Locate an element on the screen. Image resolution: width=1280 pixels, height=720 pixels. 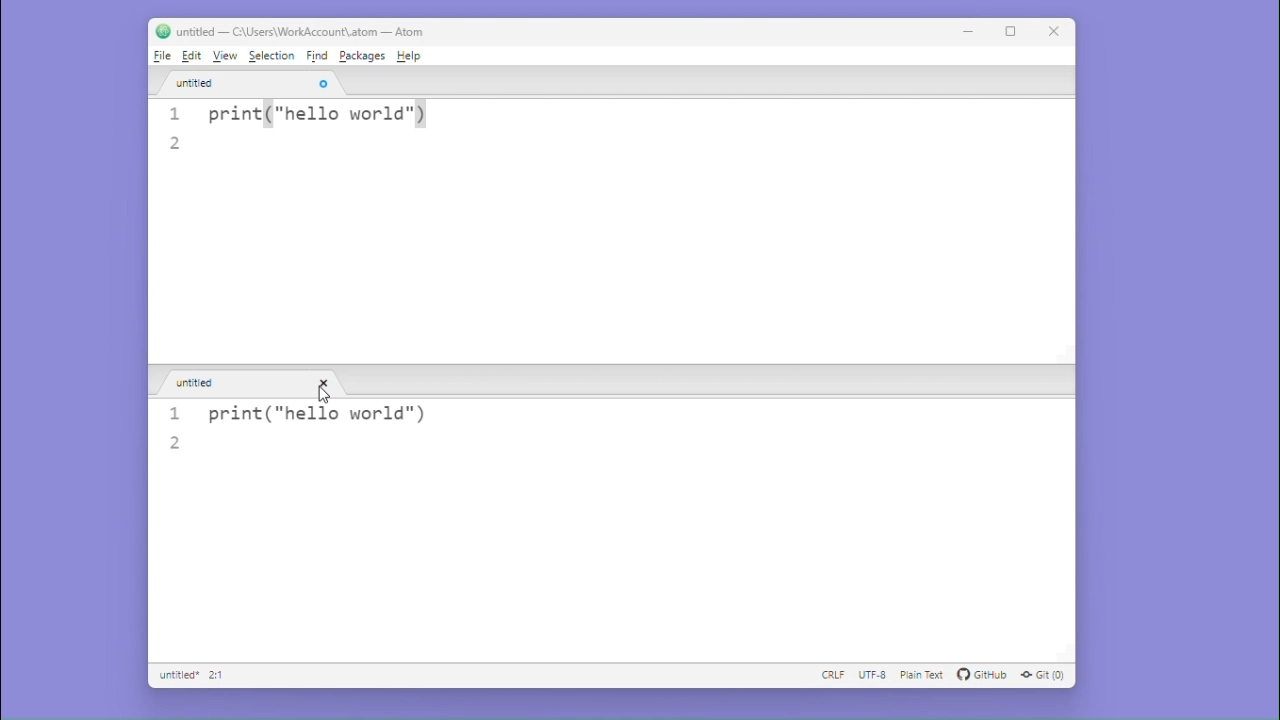
File is located at coordinates (163, 57).